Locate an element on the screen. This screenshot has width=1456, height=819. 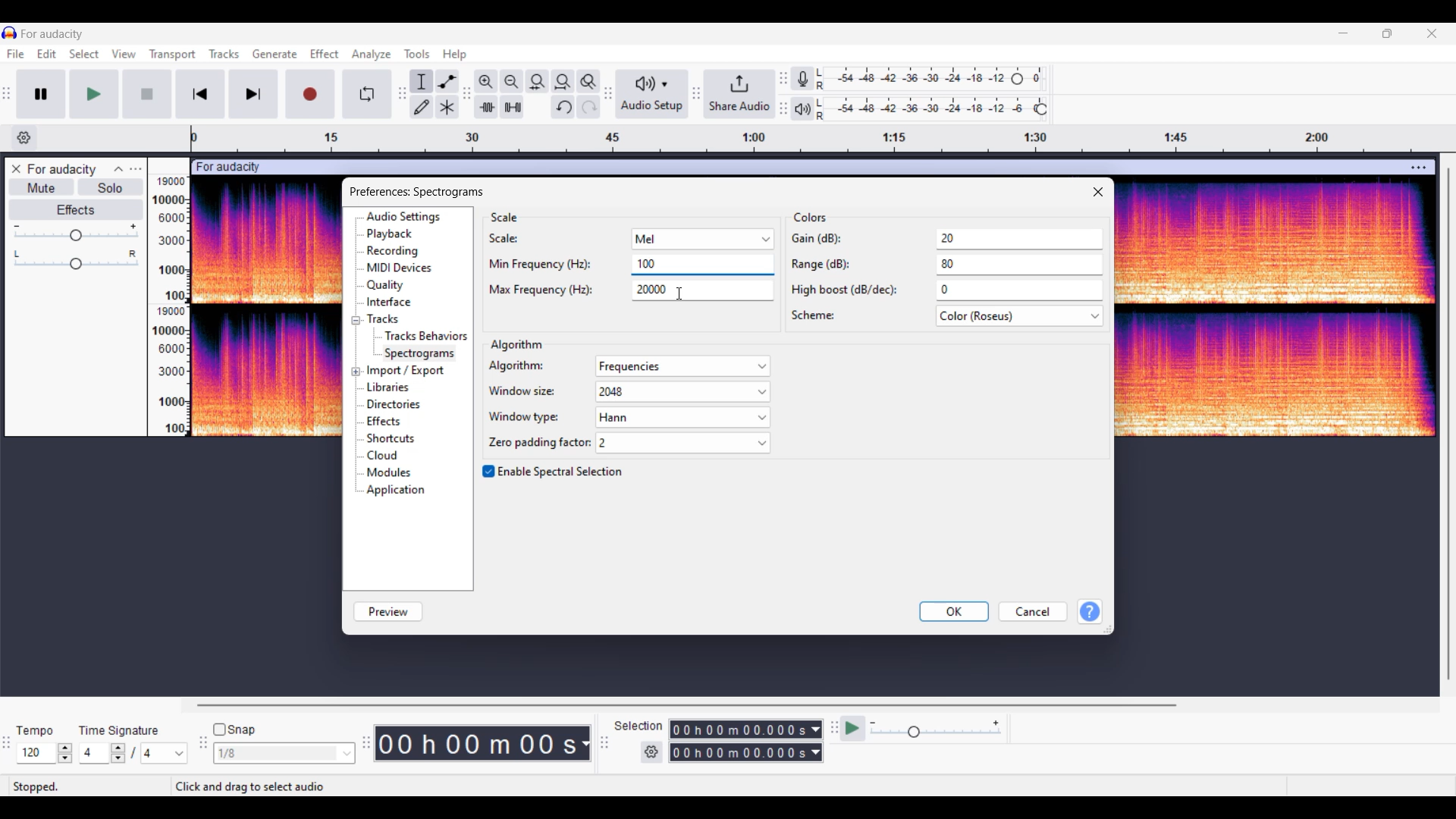
scheme is located at coordinates (946, 318).